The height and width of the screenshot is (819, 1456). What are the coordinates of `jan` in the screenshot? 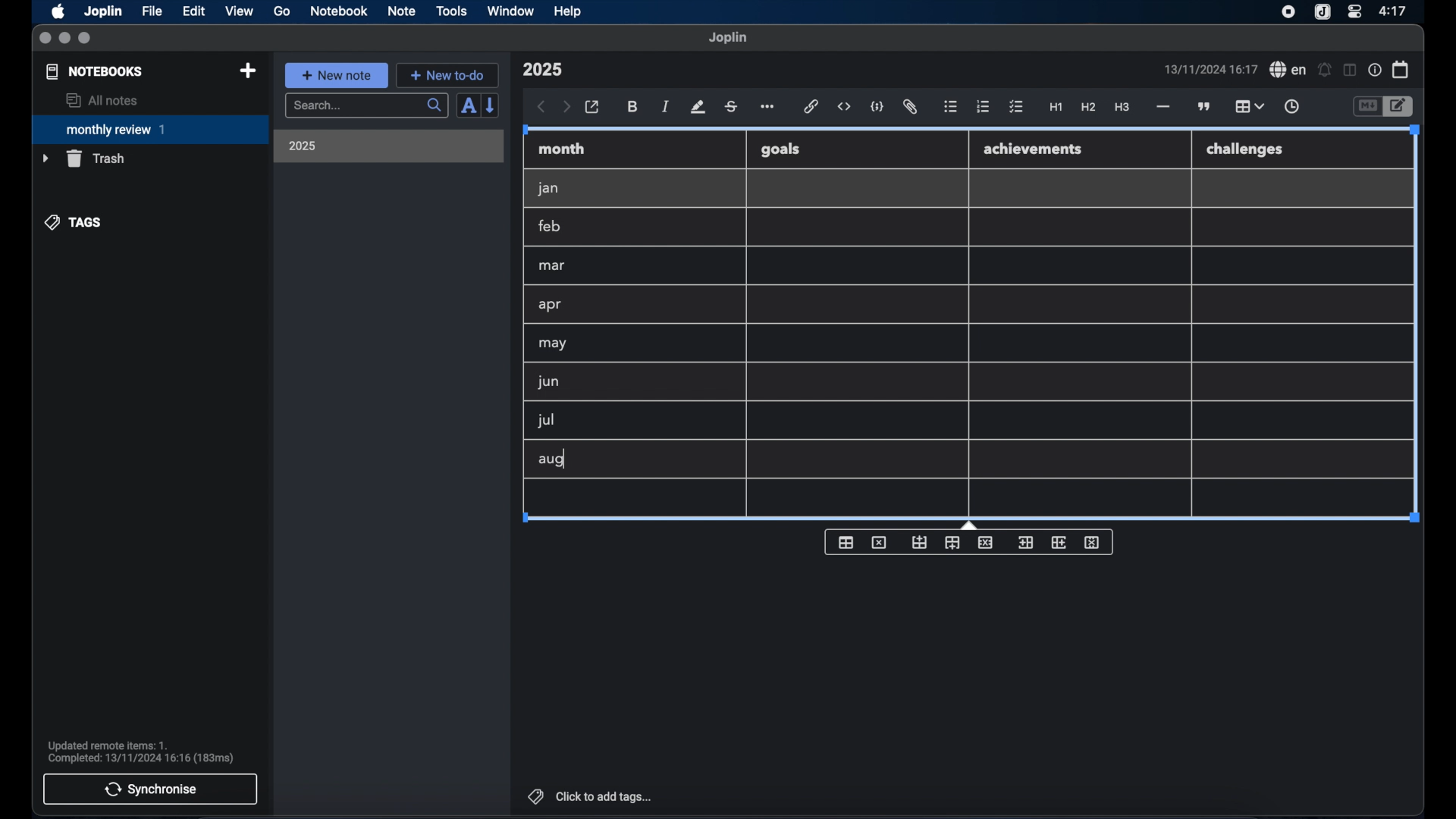 It's located at (548, 189).